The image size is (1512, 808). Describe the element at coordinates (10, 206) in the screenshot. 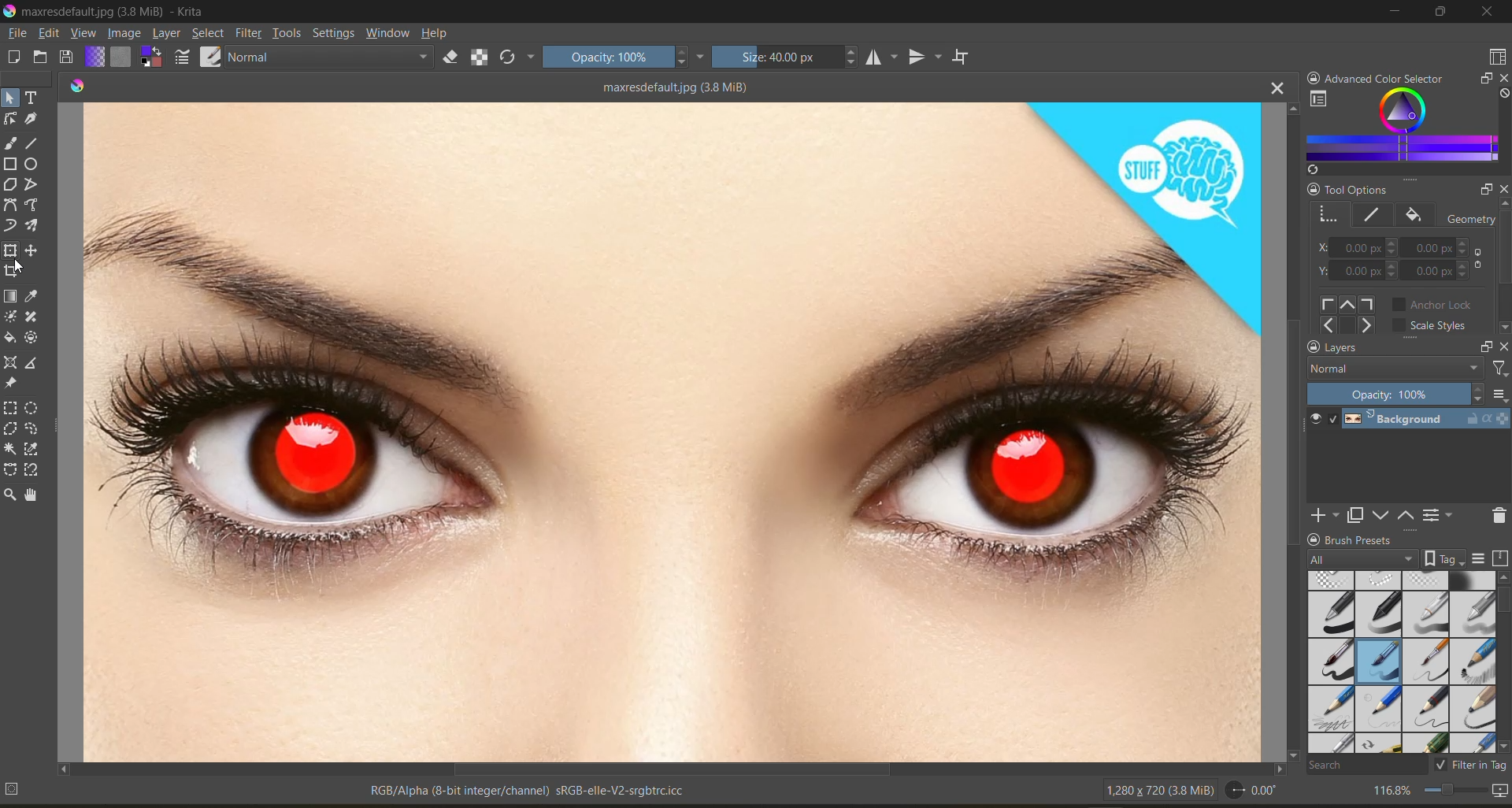

I see `tool` at that location.